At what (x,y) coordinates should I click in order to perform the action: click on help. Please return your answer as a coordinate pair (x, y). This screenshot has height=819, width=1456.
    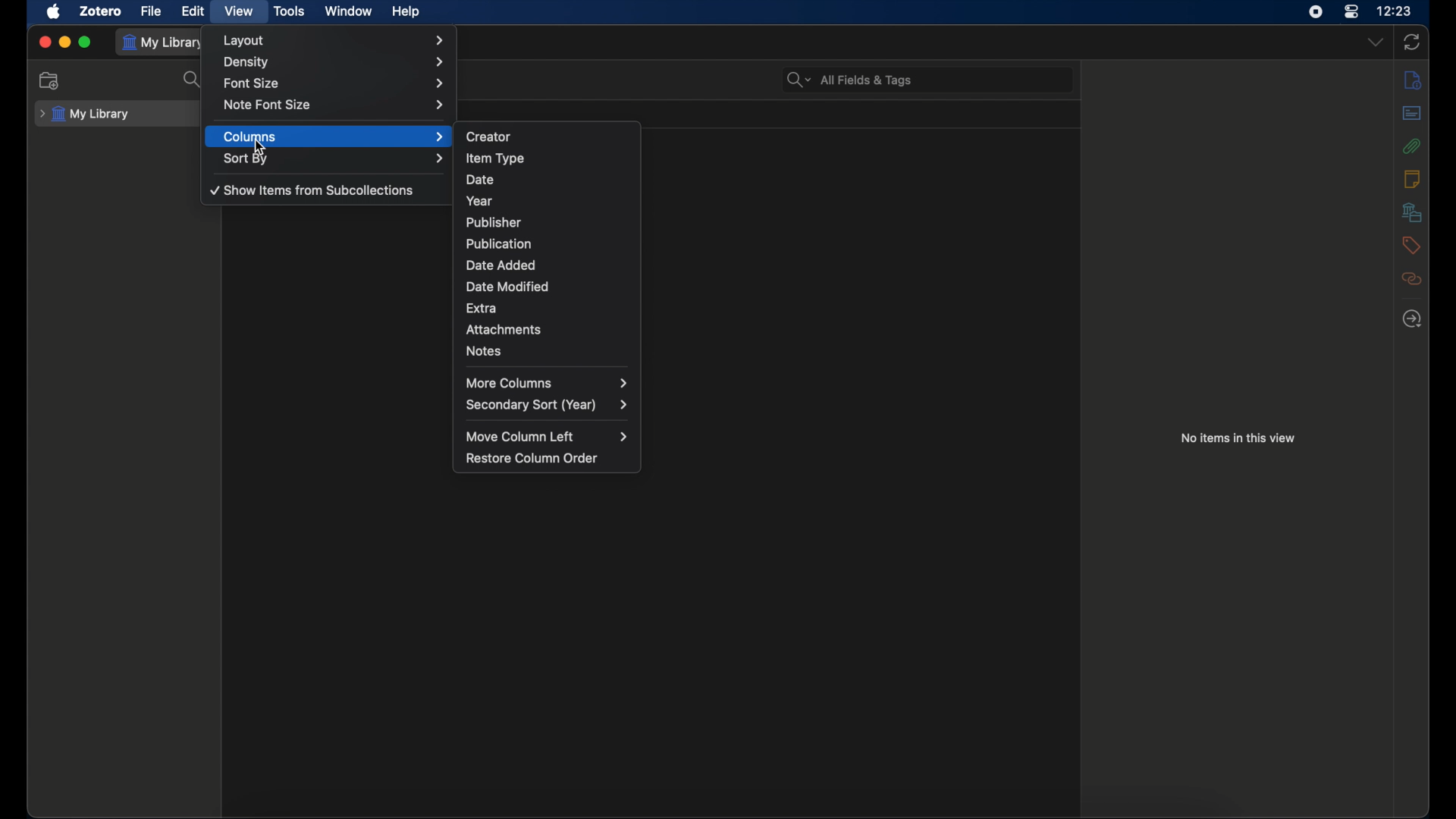
    Looking at the image, I should click on (406, 11).